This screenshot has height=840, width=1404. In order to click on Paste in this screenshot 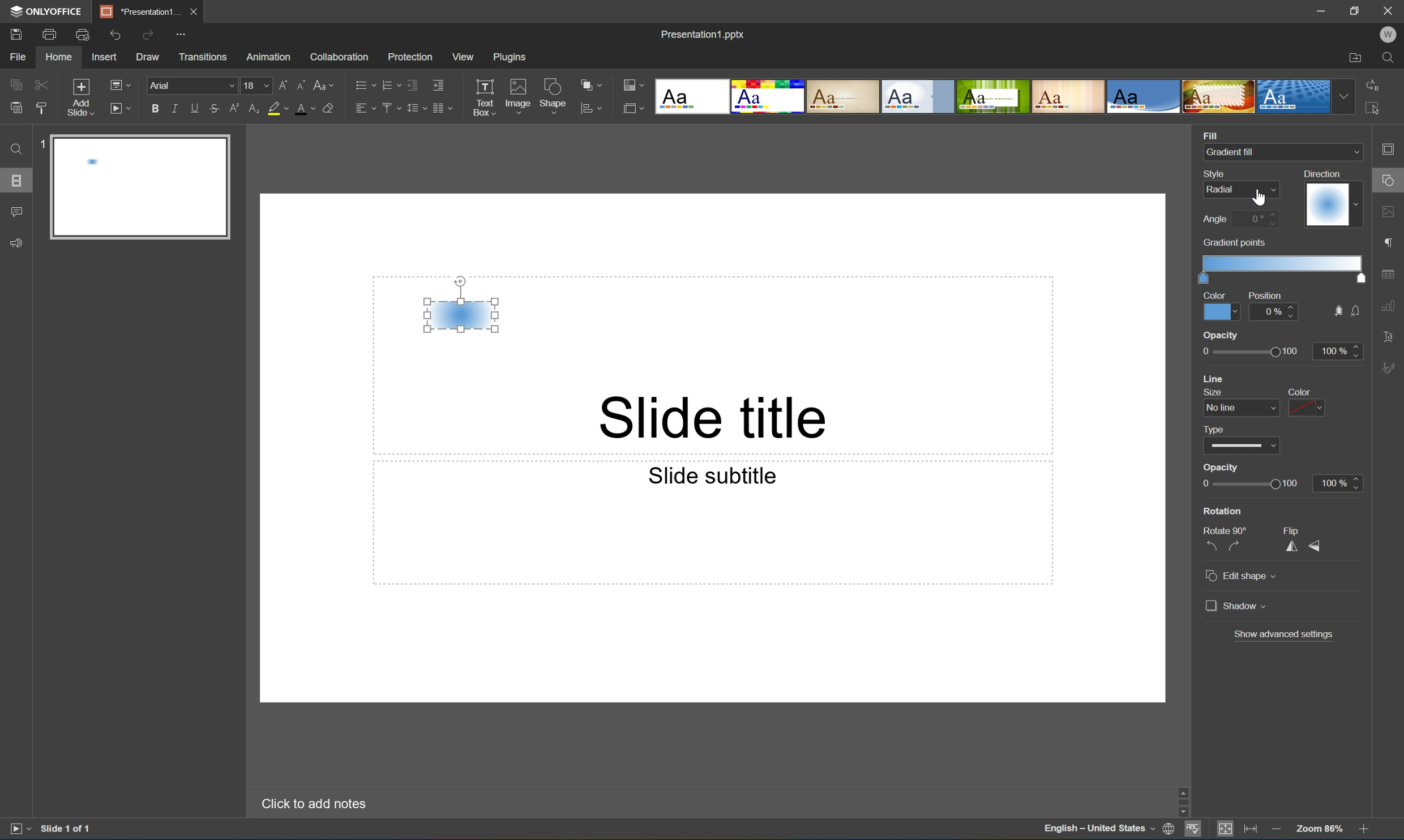, I will do `click(13, 108)`.